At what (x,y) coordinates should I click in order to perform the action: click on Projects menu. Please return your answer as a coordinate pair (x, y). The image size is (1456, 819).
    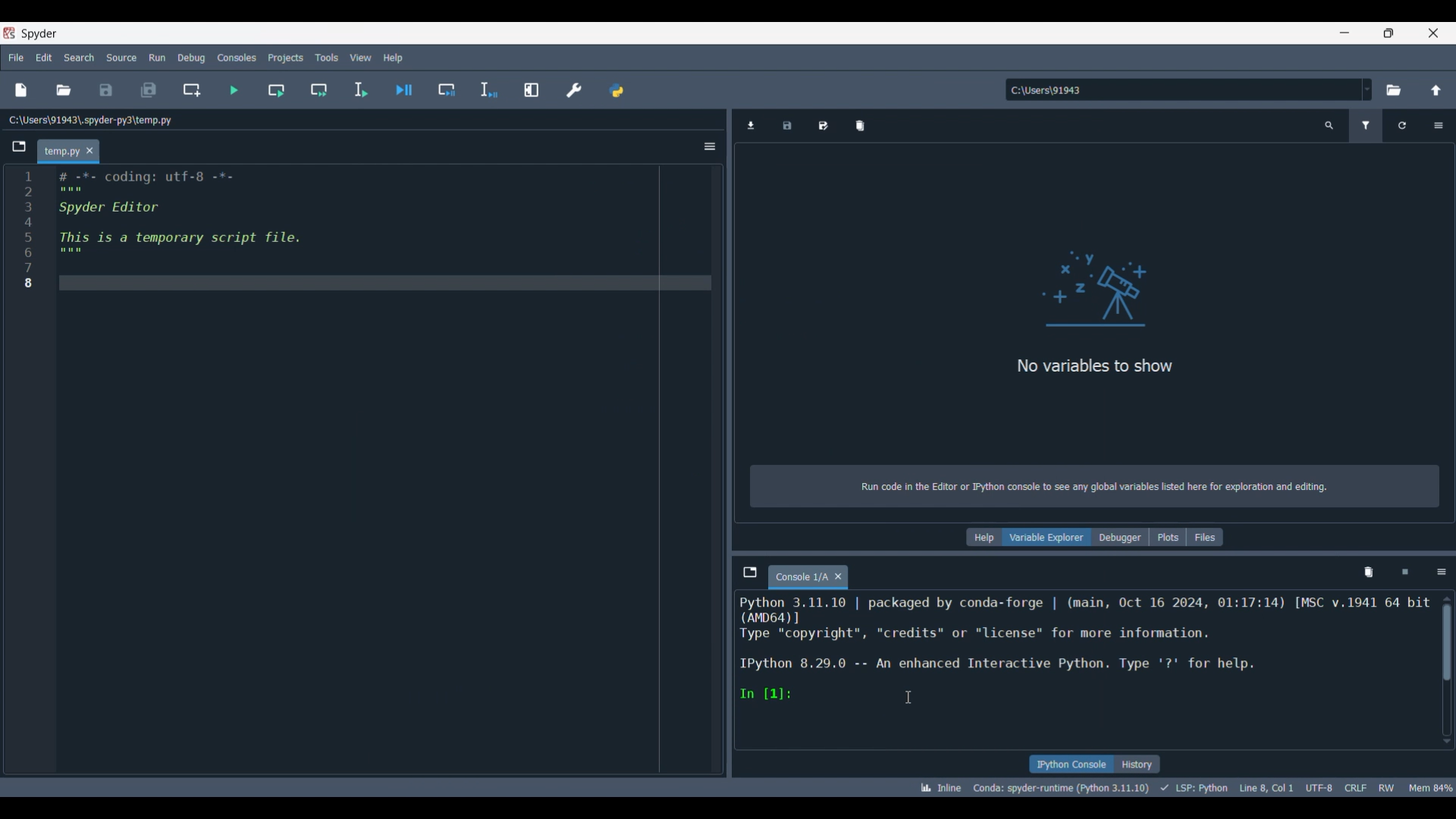
    Looking at the image, I should click on (286, 58).